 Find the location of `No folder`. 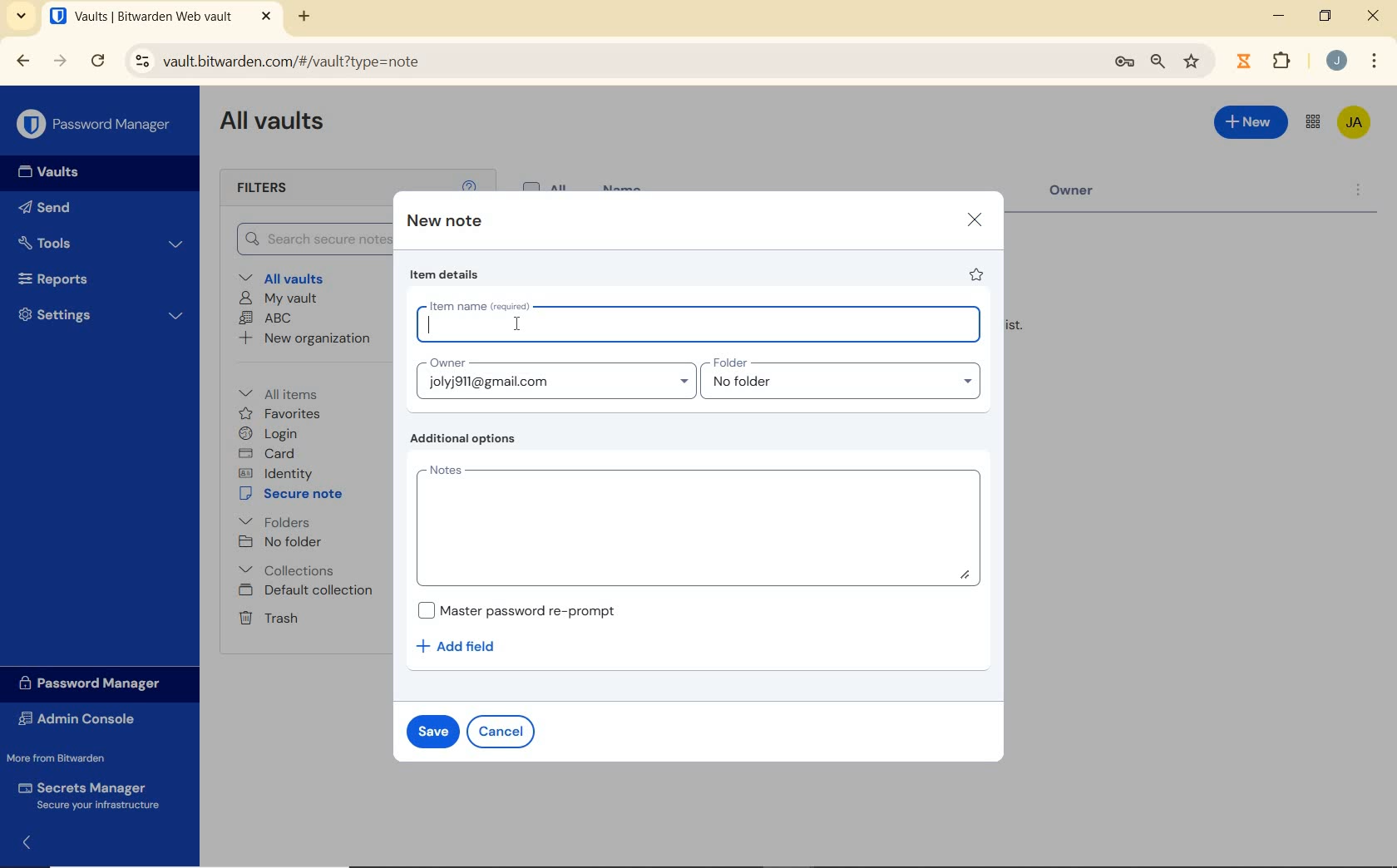

No folder is located at coordinates (280, 542).